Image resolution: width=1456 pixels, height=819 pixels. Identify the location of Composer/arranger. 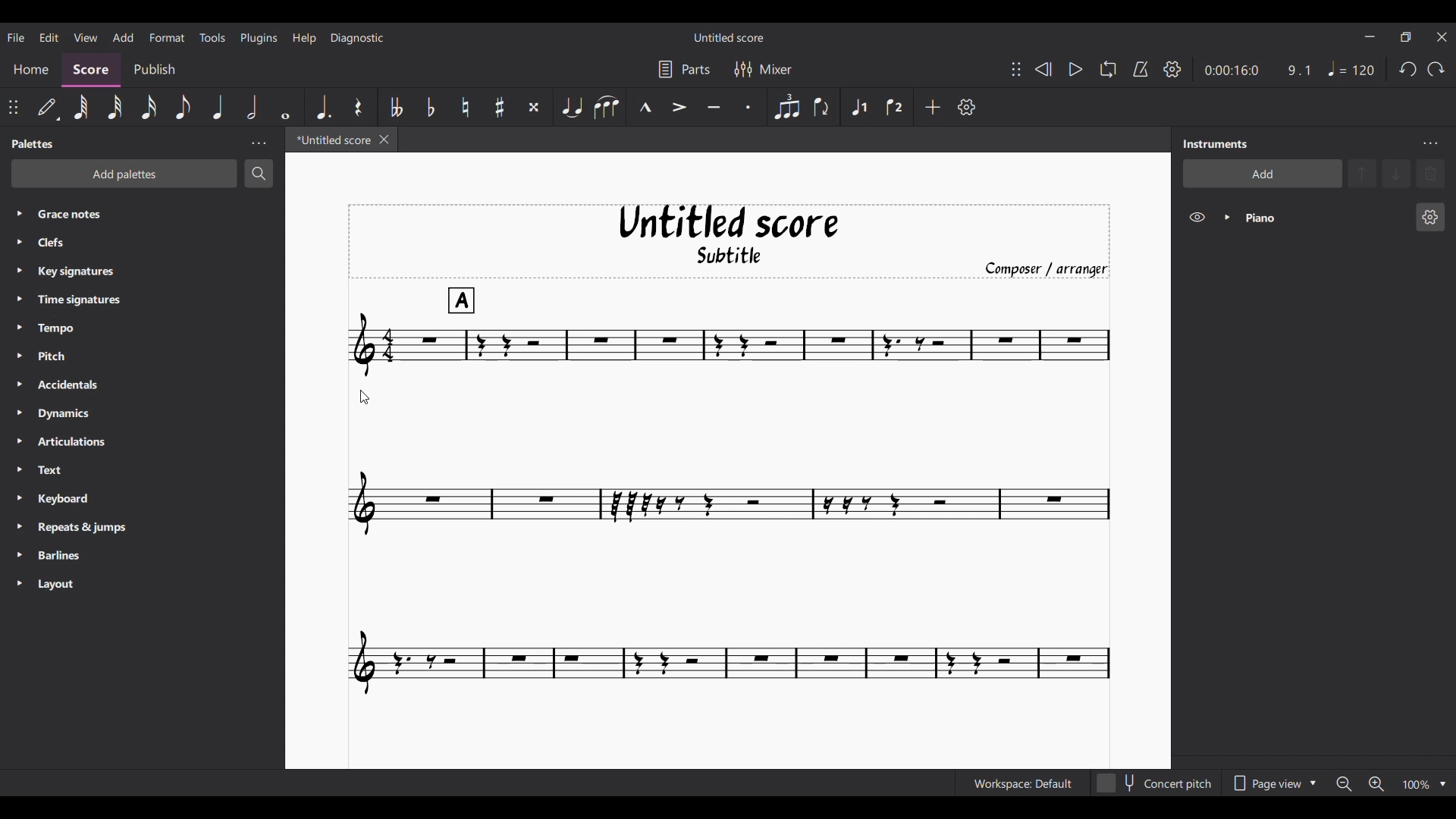
(1045, 268).